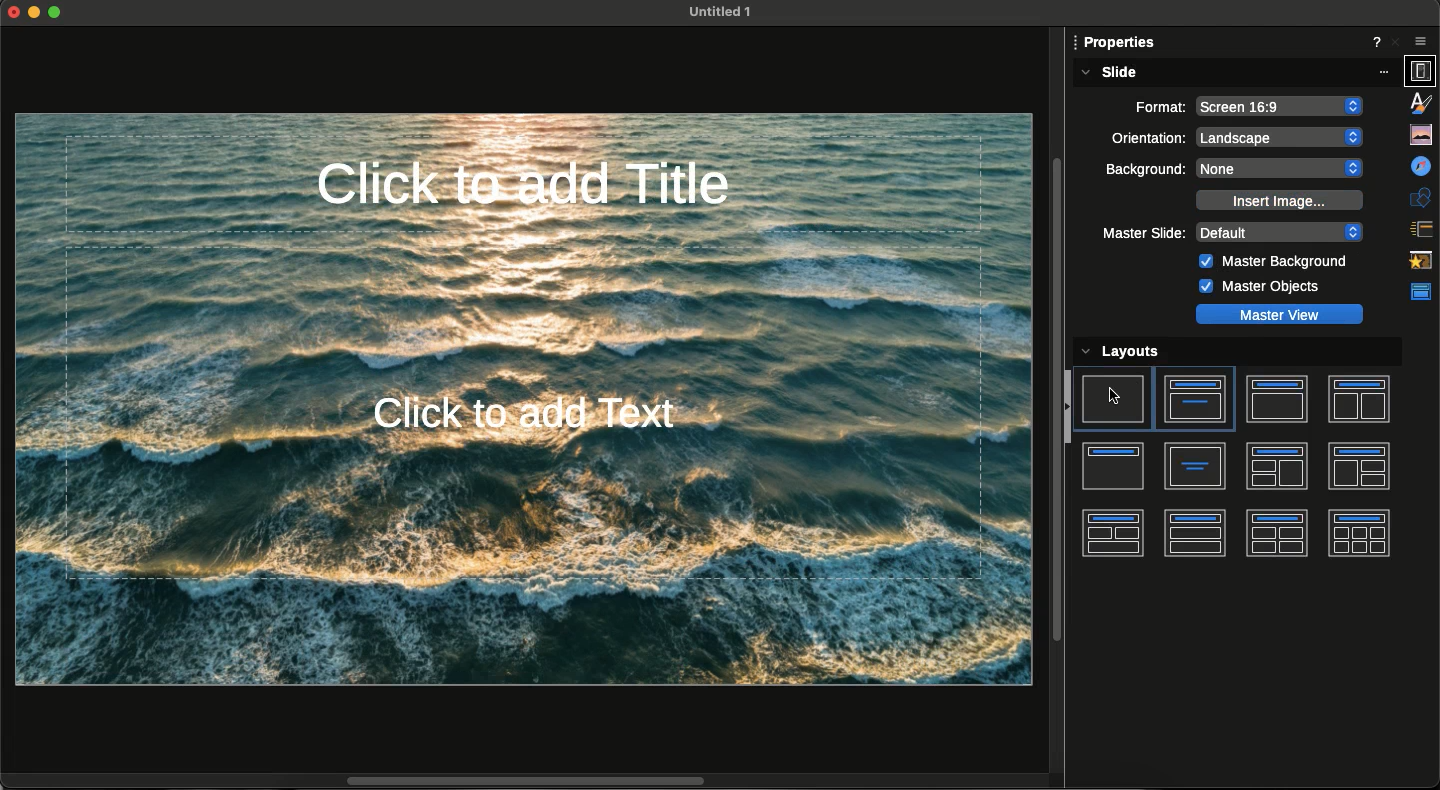 Image resolution: width=1440 pixels, height=790 pixels. What do you see at coordinates (1420, 167) in the screenshot?
I see `Navigator` at bounding box center [1420, 167].